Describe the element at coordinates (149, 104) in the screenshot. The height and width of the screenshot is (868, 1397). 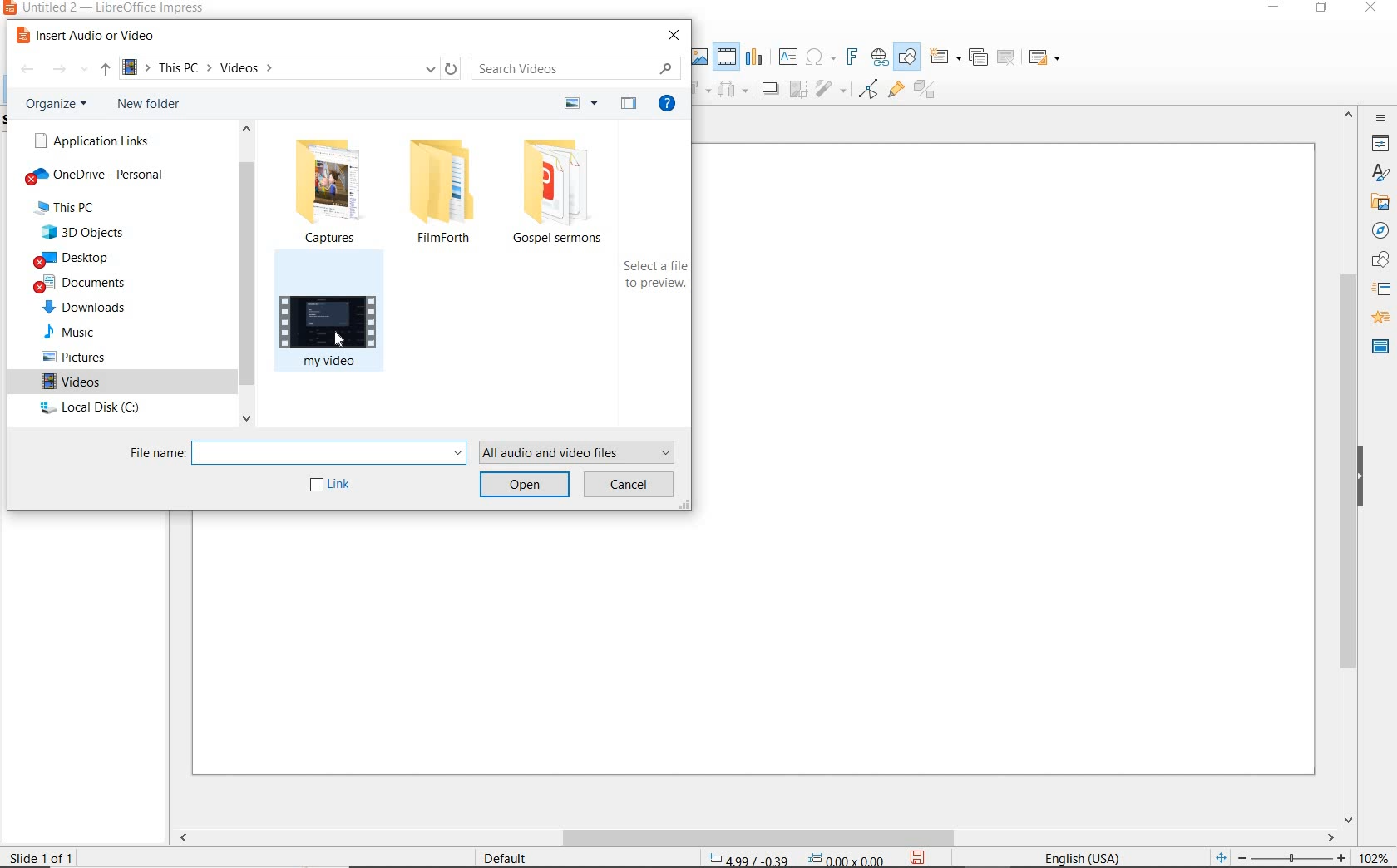
I see `NEW FOLDER` at that location.